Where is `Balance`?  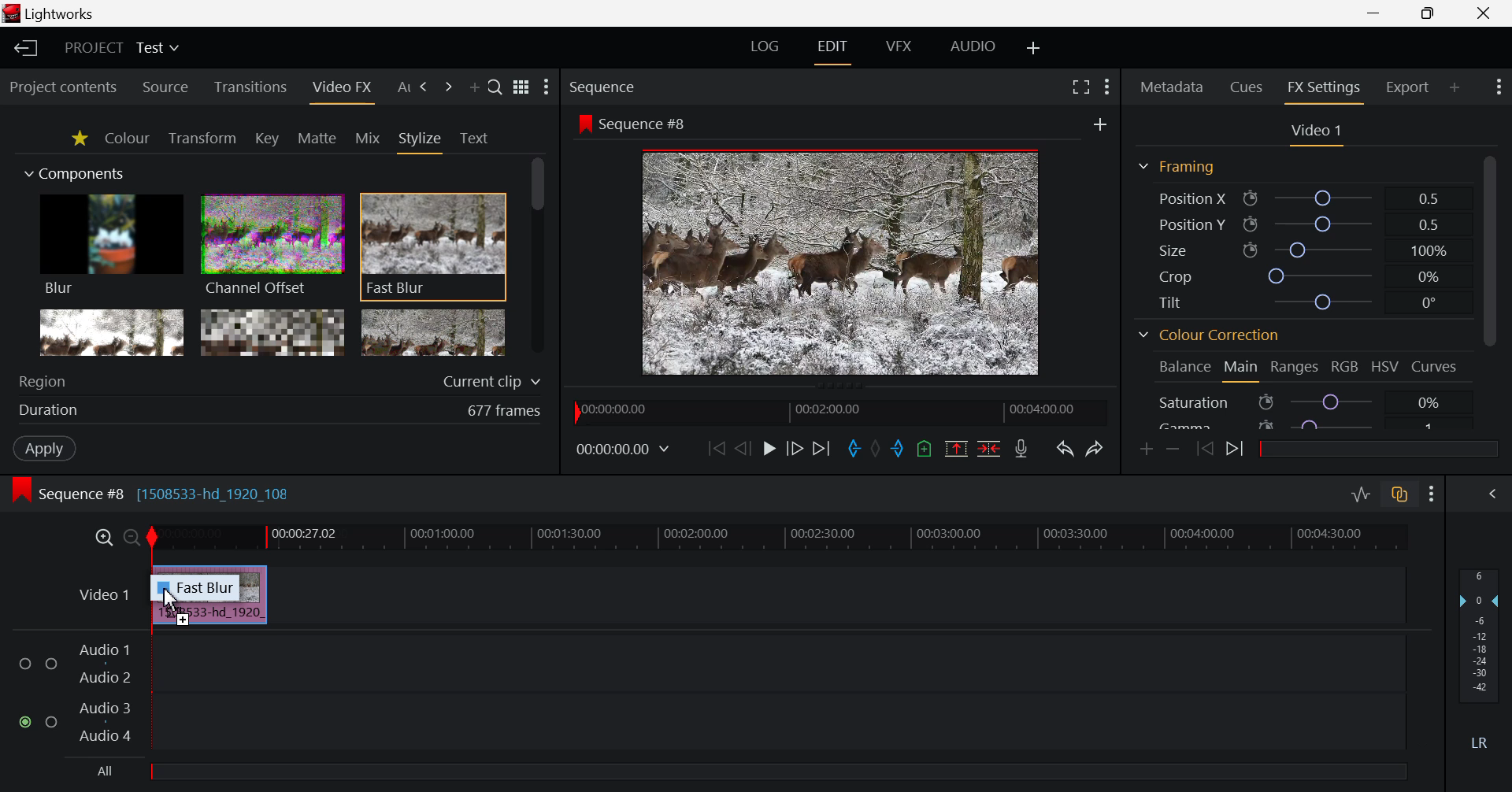 Balance is located at coordinates (1184, 369).